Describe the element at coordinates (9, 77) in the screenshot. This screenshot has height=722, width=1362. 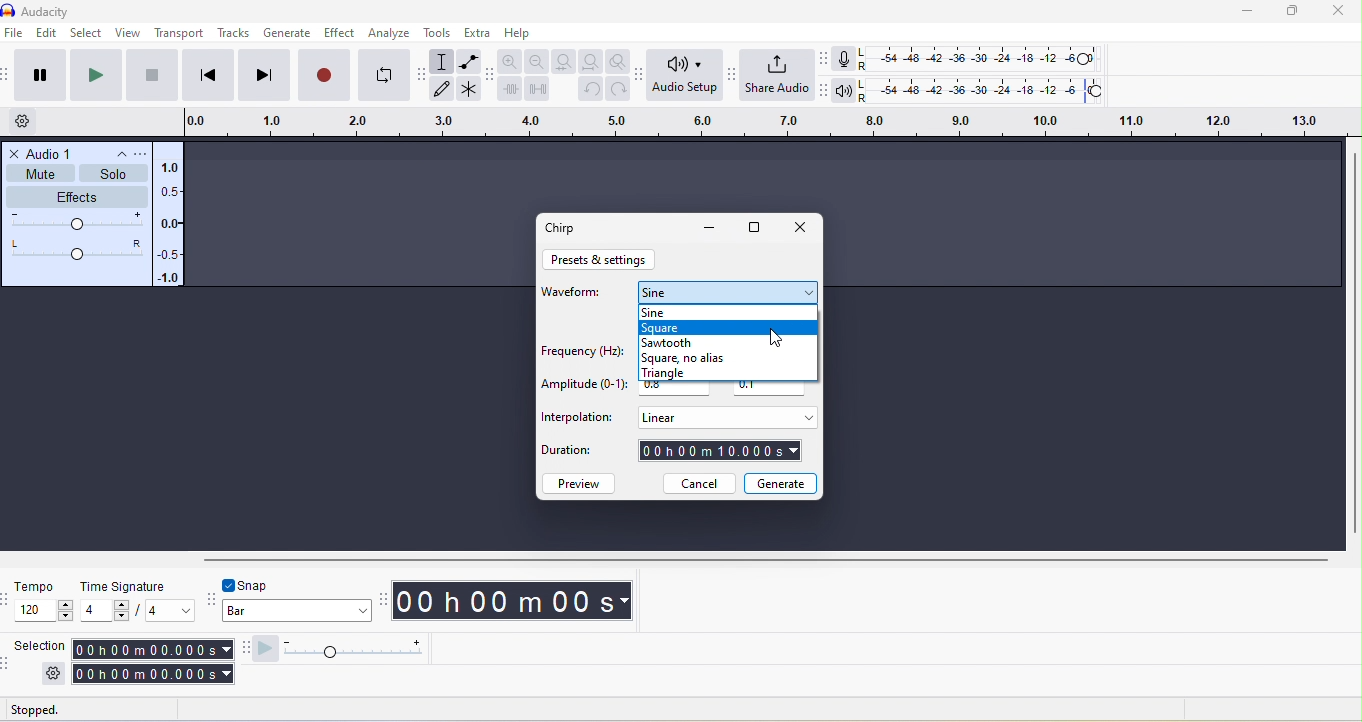
I see `audacity transport toolbar` at that location.